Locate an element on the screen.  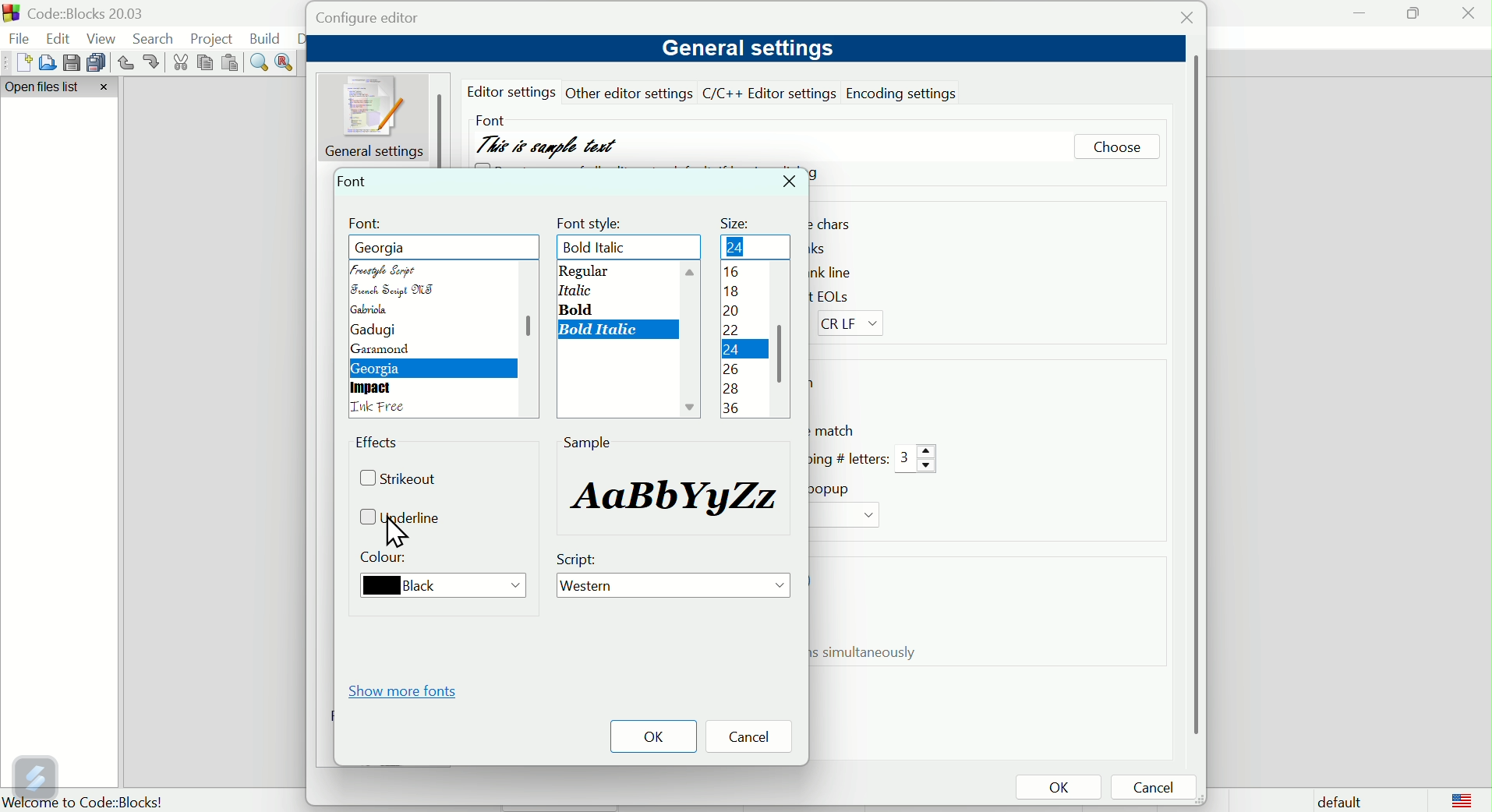
Encoding settings is located at coordinates (905, 92).